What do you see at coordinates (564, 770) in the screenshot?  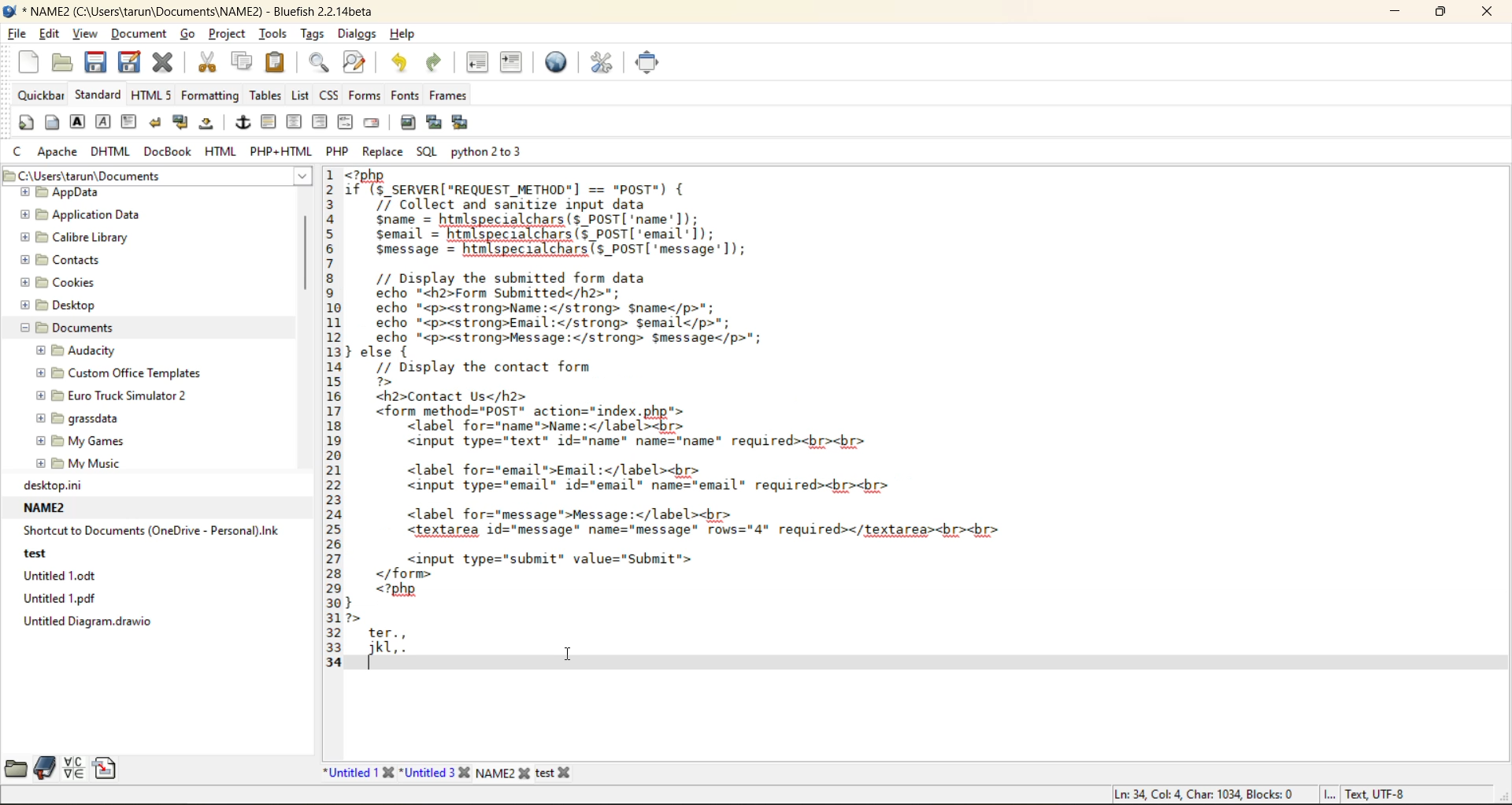 I see `test` at bounding box center [564, 770].